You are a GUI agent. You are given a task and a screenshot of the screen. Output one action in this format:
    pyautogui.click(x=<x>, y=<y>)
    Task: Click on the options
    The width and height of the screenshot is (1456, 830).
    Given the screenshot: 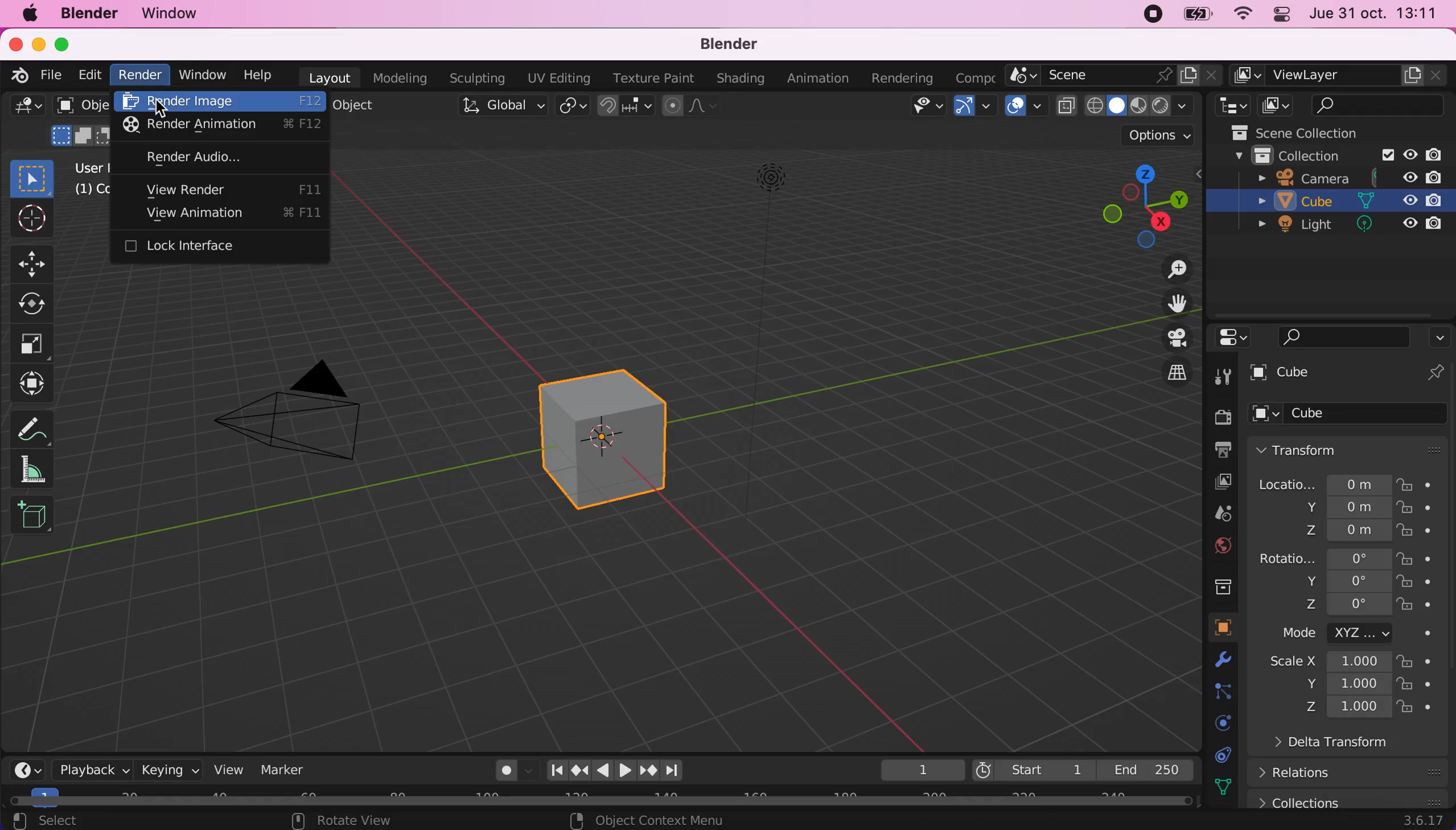 What is the action you would take?
    pyautogui.click(x=1439, y=337)
    